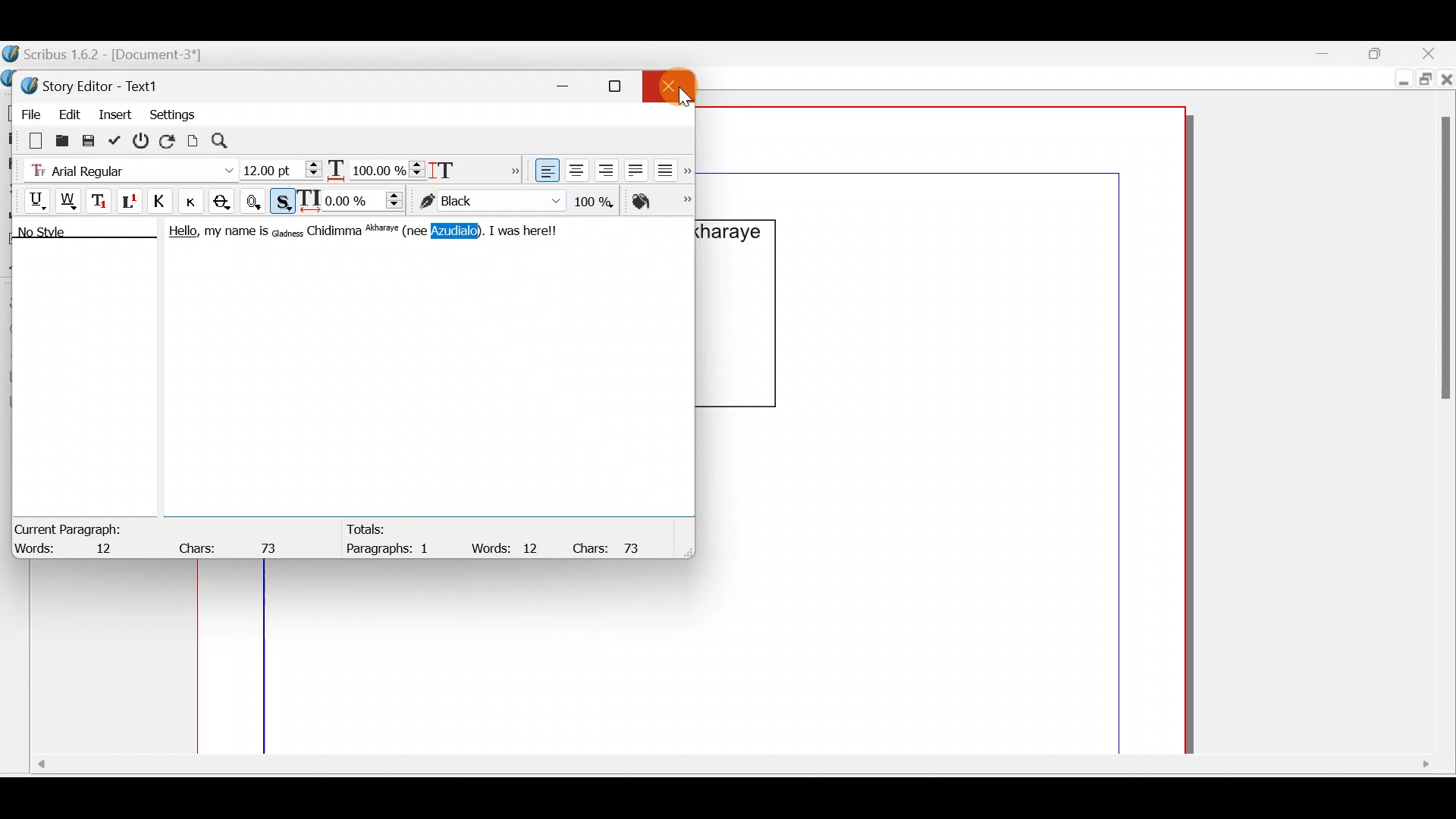  What do you see at coordinates (675, 83) in the screenshot?
I see `Close` at bounding box center [675, 83].